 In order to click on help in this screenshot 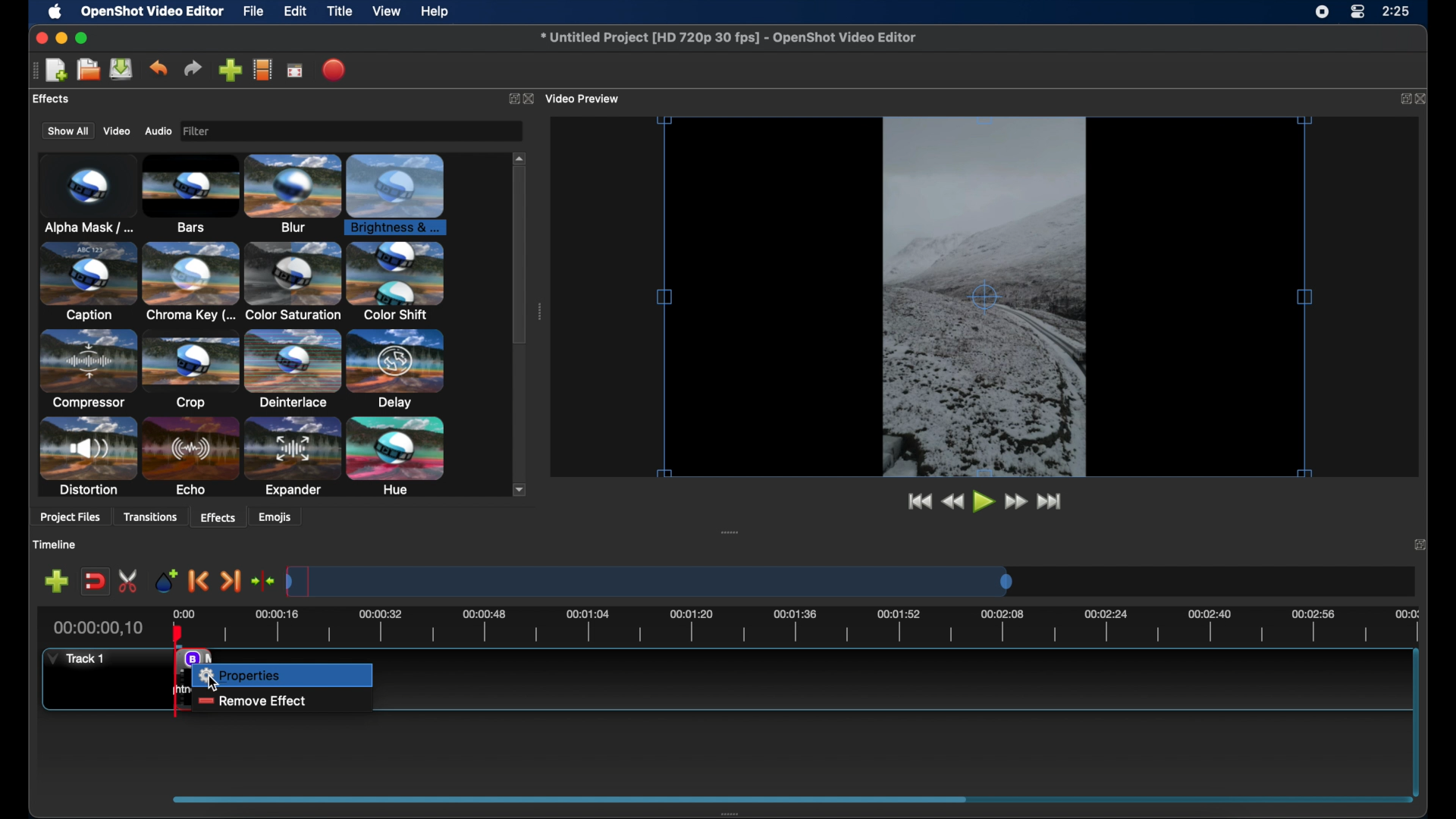, I will do `click(437, 11)`.